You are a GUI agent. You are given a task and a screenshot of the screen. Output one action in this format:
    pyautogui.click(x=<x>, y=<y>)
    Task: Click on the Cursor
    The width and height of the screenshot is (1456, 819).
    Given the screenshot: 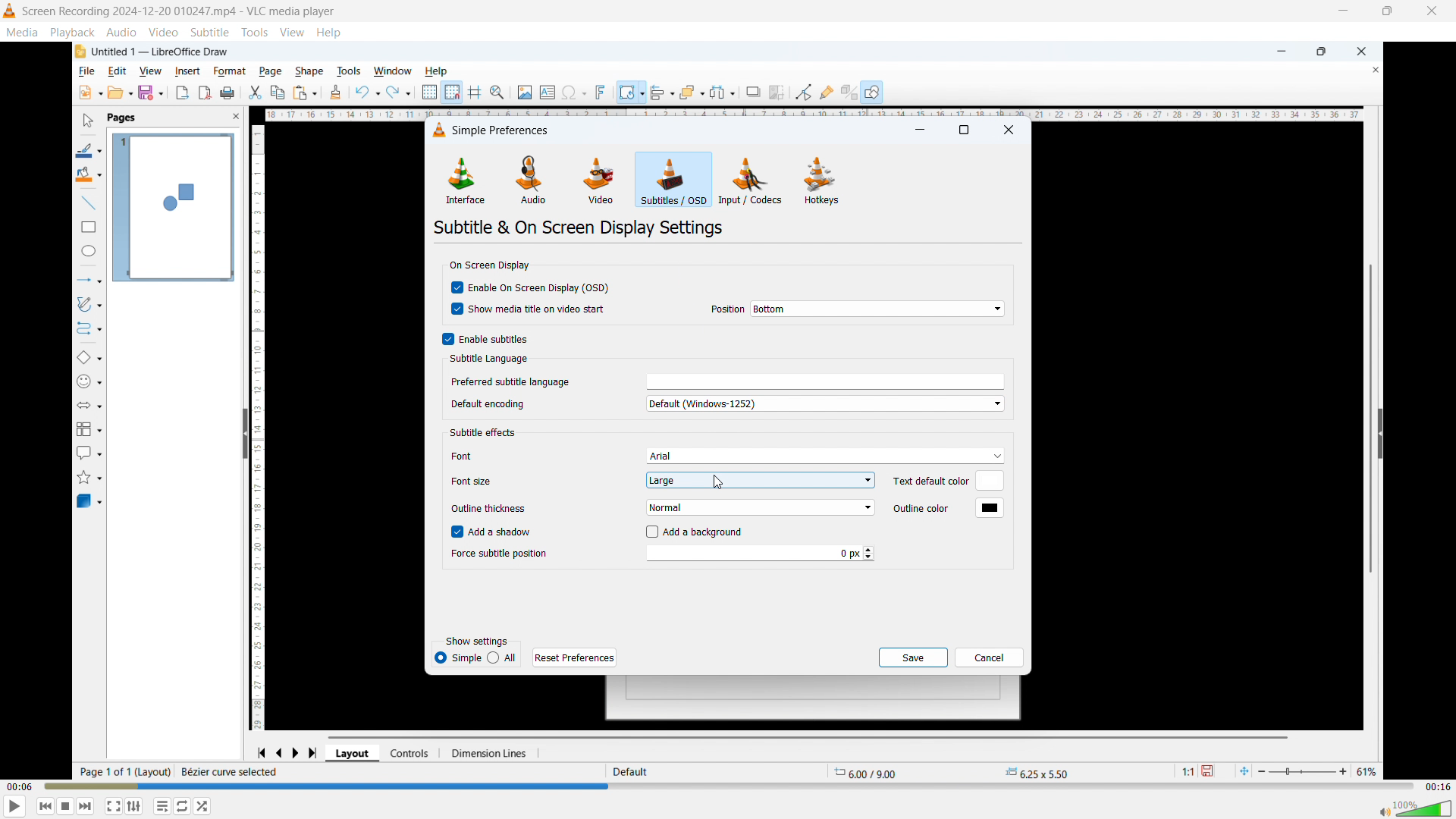 What is the action you would take?
    pyautogui.click(x=718, y=483)
    